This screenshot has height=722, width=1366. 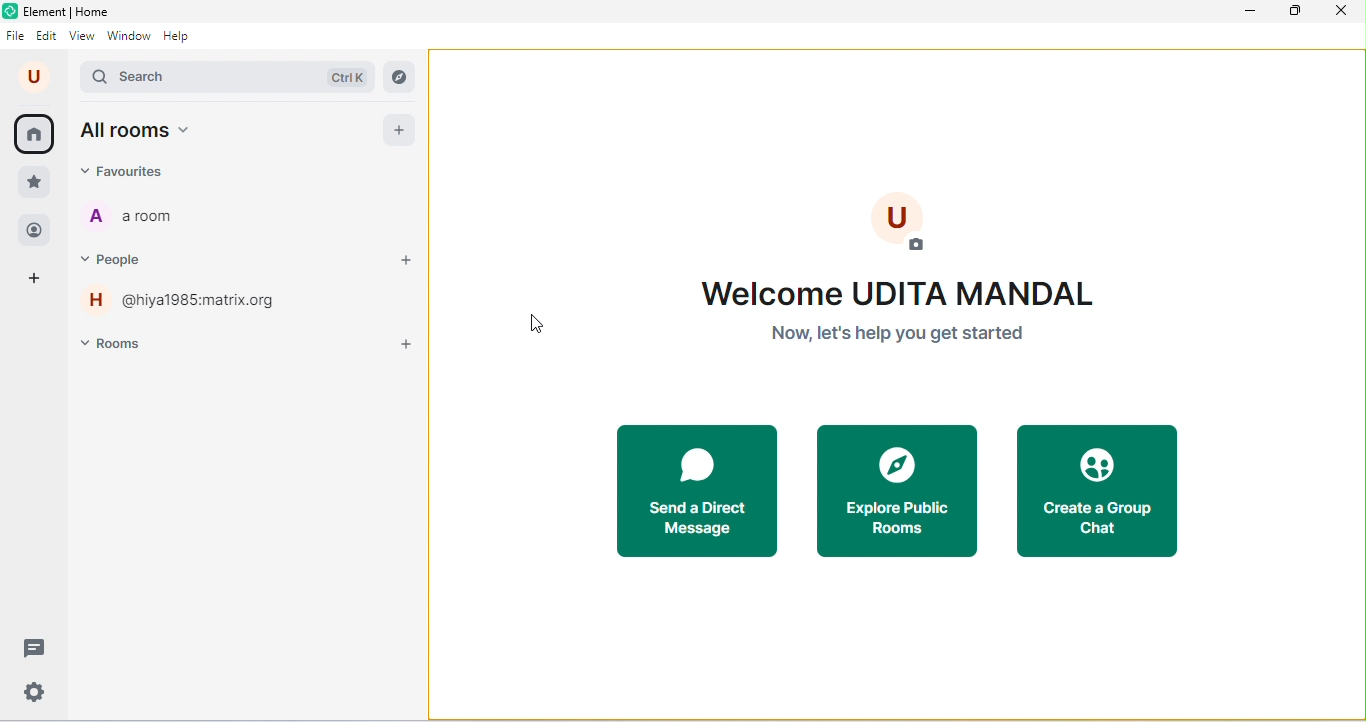 What do you see at coordinates (33, 182) in the screenshot?
I see `favorites` at bounding box center [33, 182].